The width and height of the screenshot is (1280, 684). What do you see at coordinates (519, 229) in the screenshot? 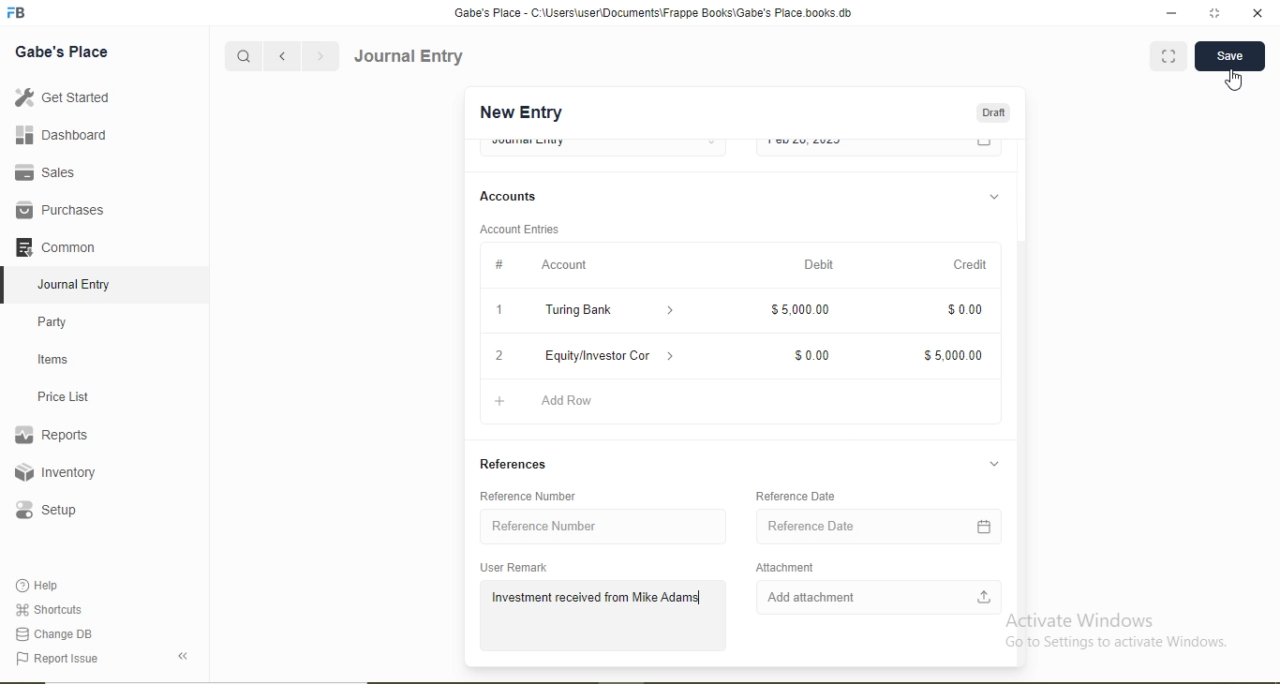
I see `Account Entries` at bounding box center [519, 229].